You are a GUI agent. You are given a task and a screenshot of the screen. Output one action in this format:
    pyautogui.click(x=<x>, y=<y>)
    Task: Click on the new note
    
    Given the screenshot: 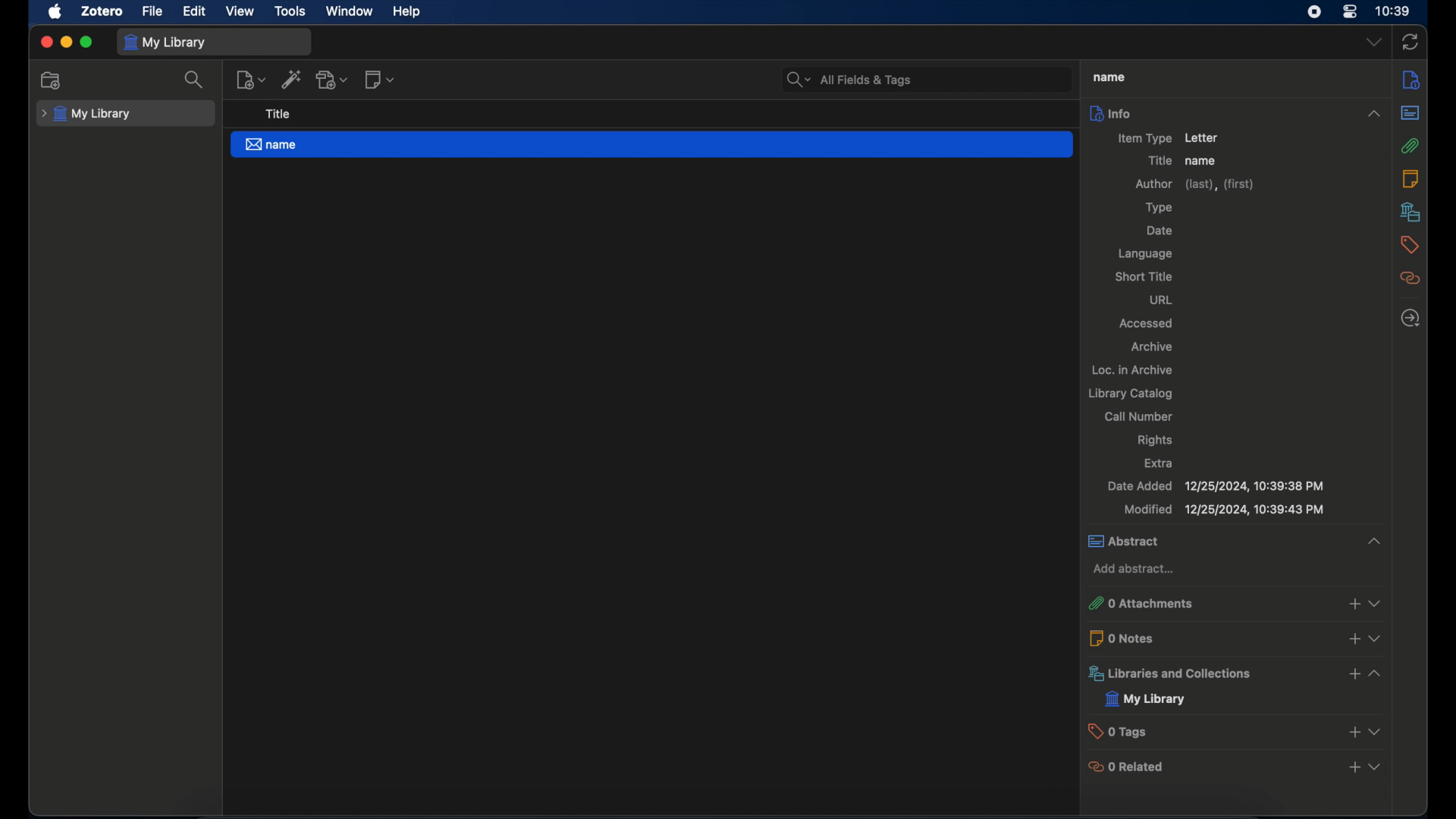 What is the action you would take?
    pyautogui.click(x=378, y=80)
    